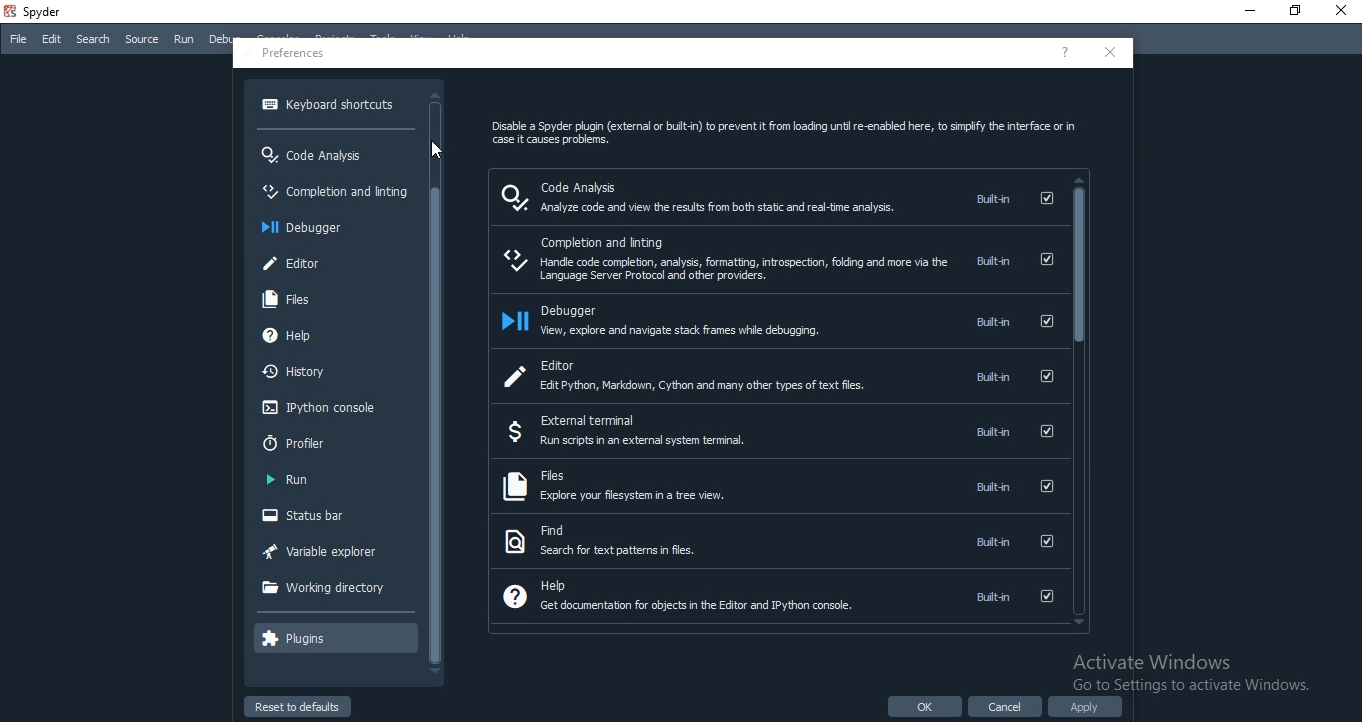 This screenshot has width=1362, height=722. I want to click on preference, so click(296, 54).